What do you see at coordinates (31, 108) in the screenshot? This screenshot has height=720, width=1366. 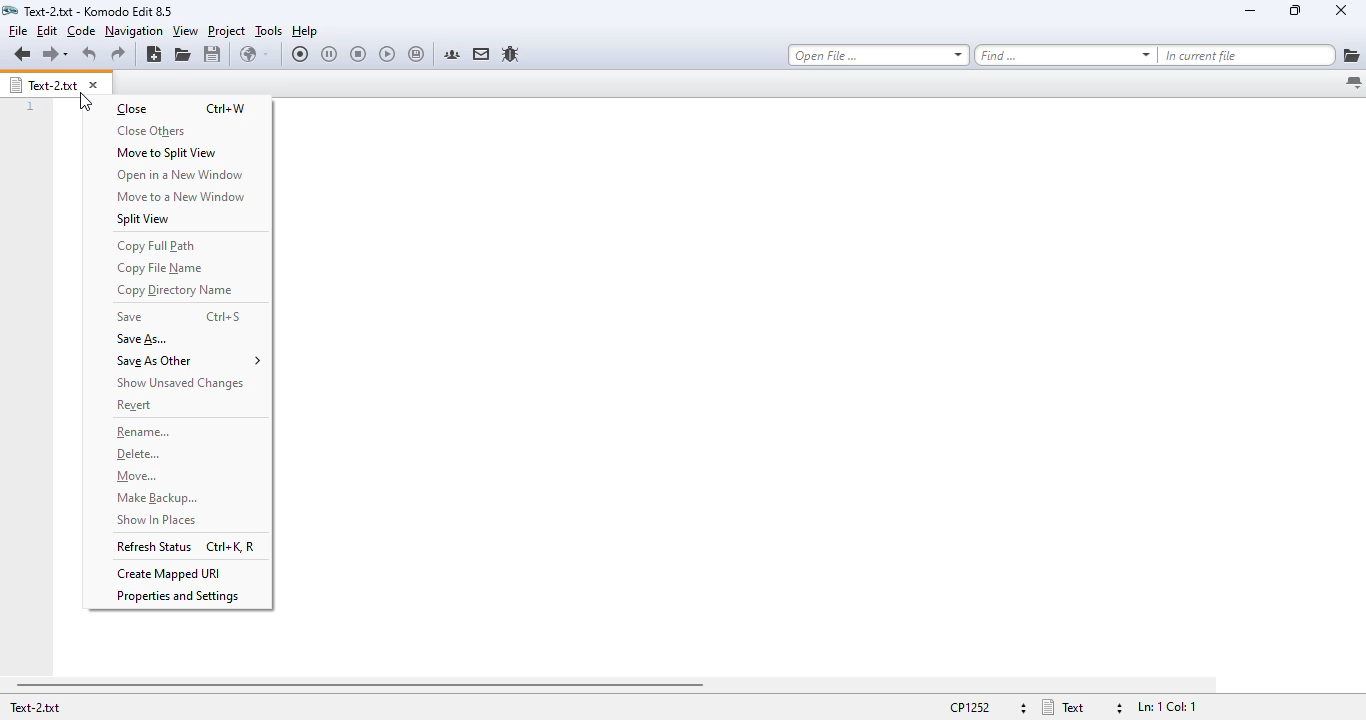 I see `line number` at bounding box center [31, 108].